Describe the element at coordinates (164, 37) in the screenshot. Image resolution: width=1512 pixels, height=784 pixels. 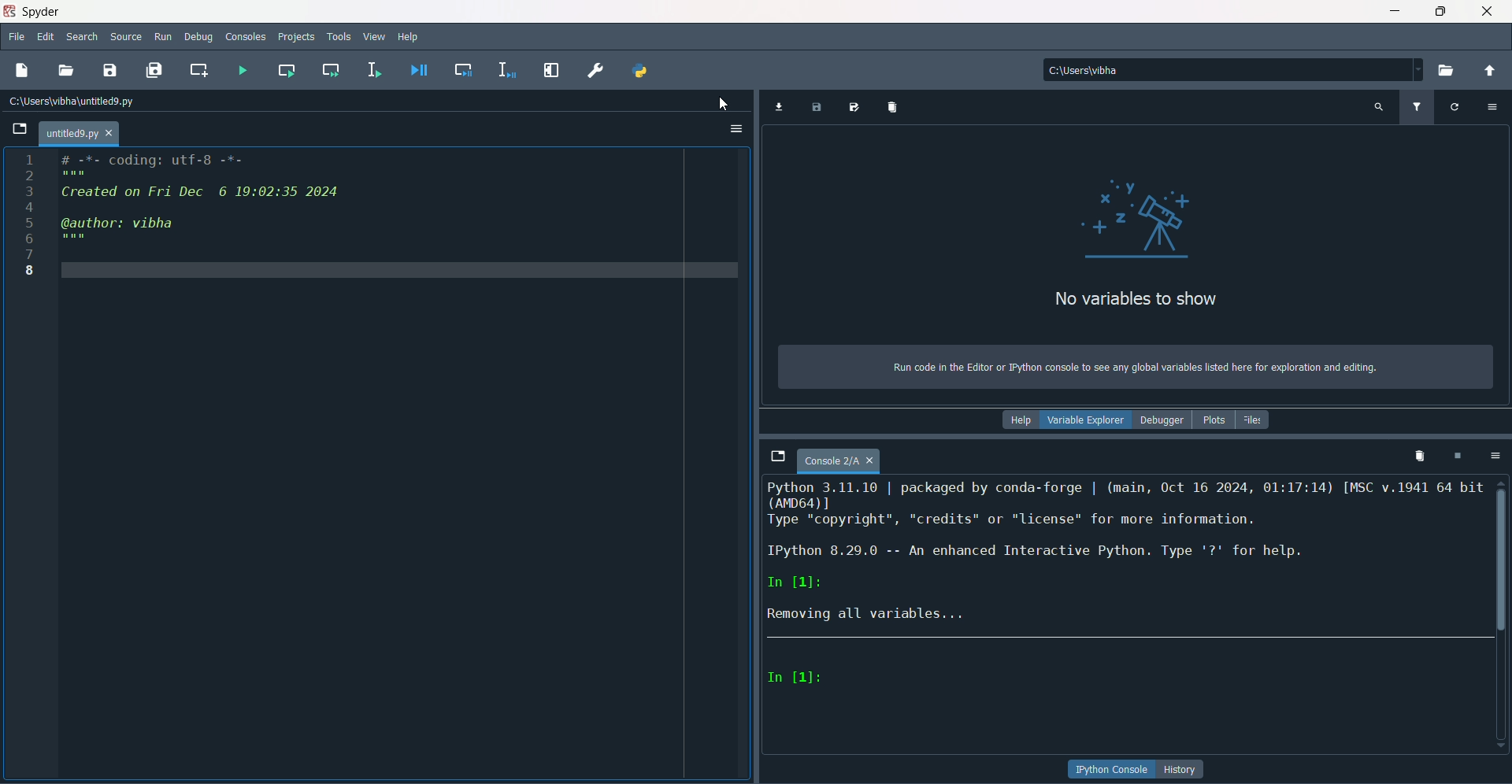
I see `run` at that location.